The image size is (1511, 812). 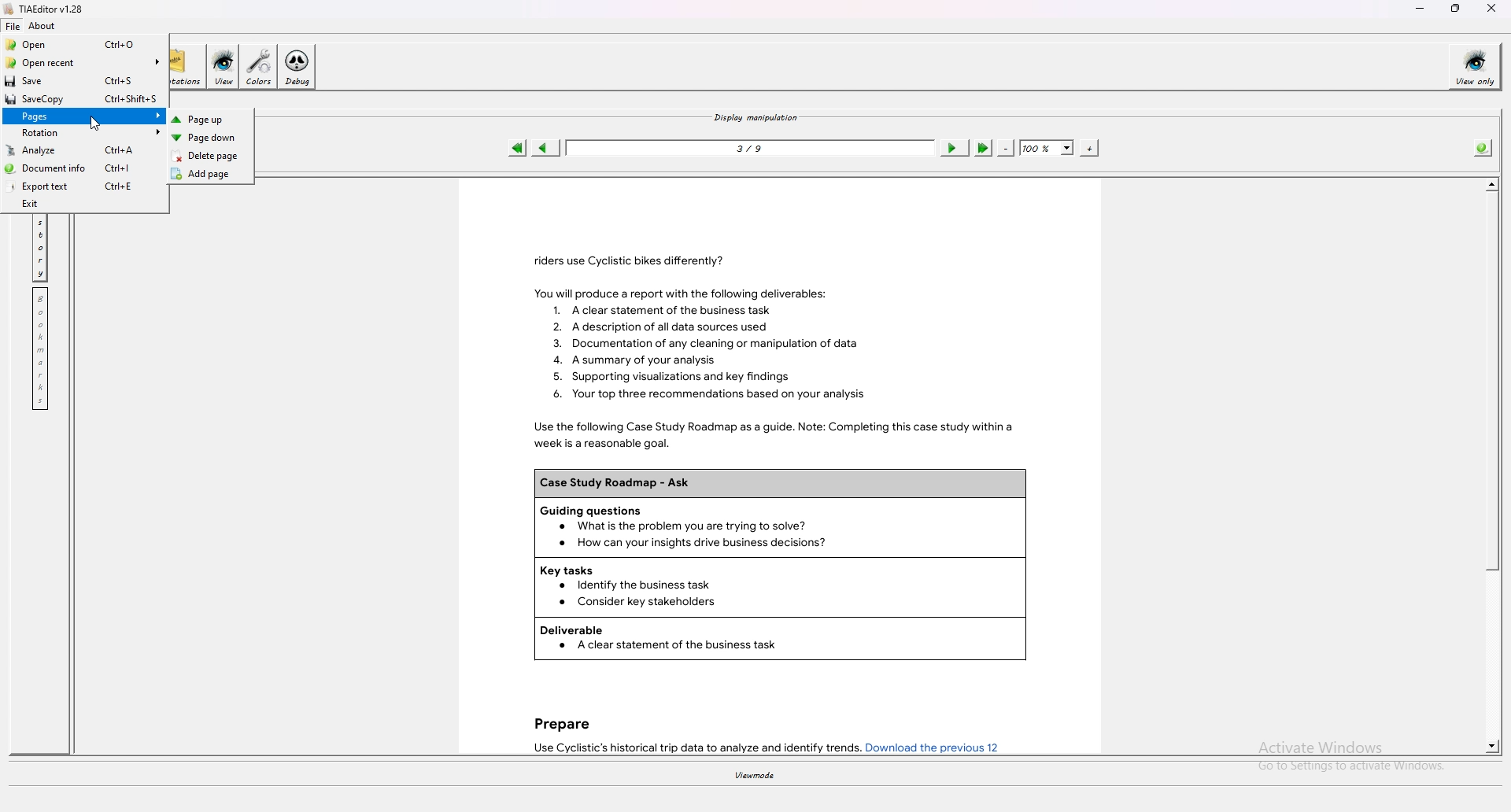 I want to click on view only, so click(x=1475, y=66).